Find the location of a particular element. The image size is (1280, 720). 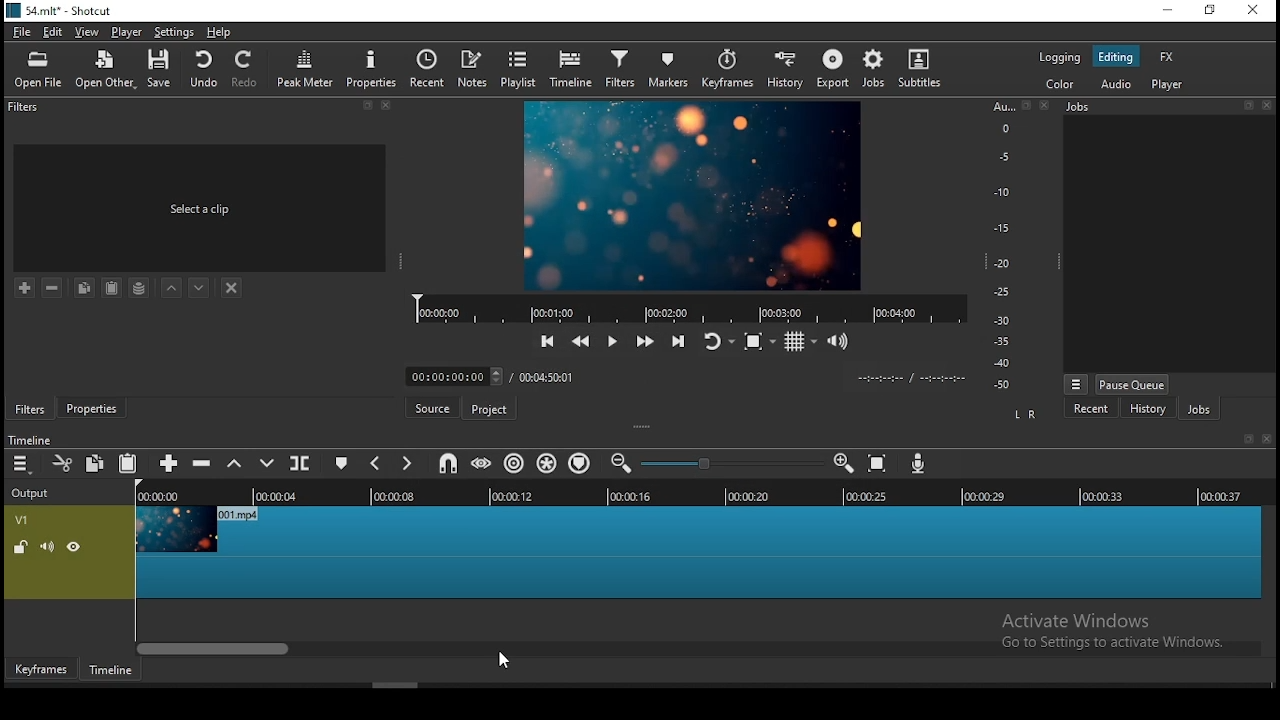

jobs is located at coordinates (1080, 106).